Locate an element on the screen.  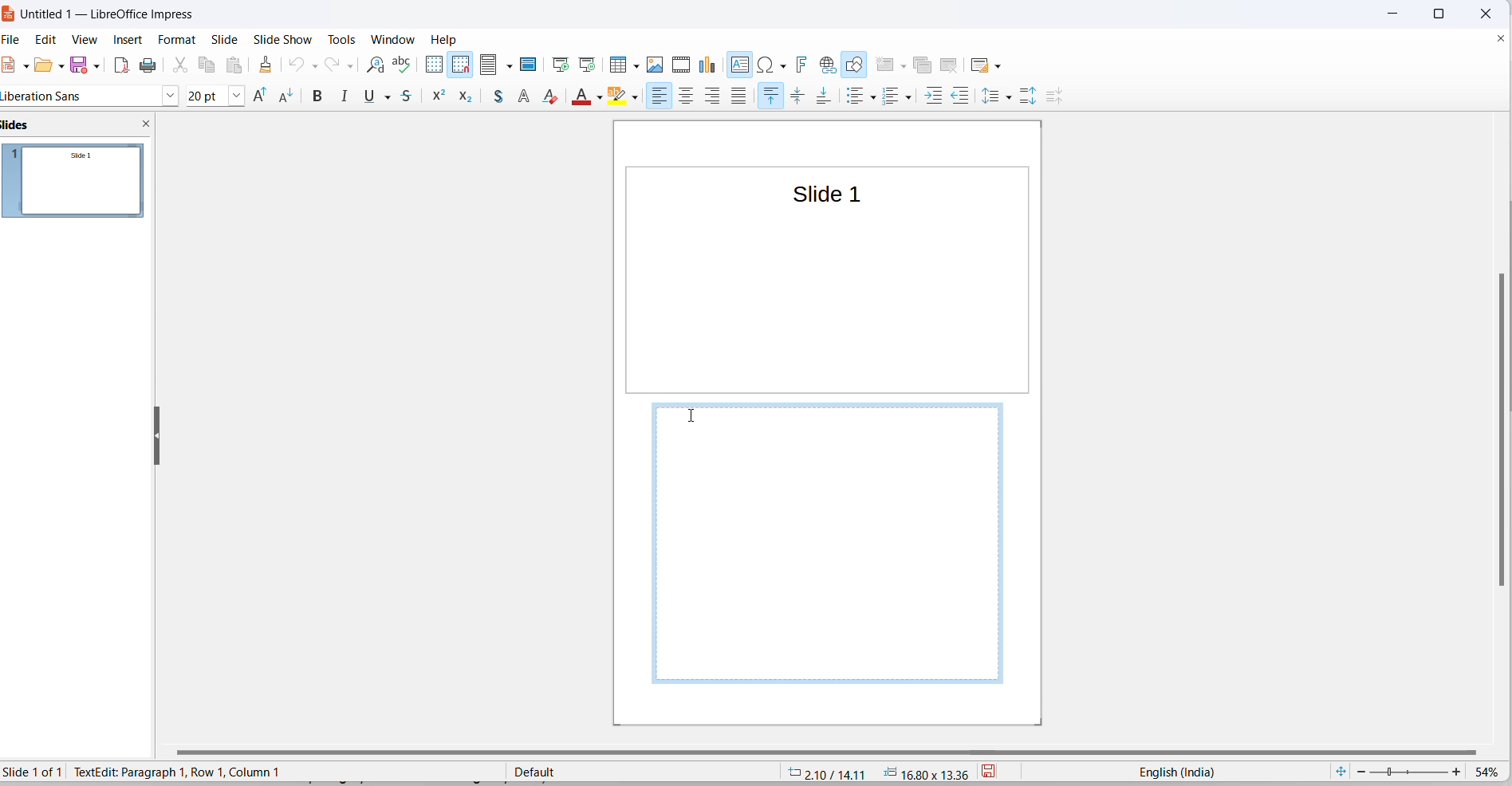
copy is located at coordinates (208, 65).